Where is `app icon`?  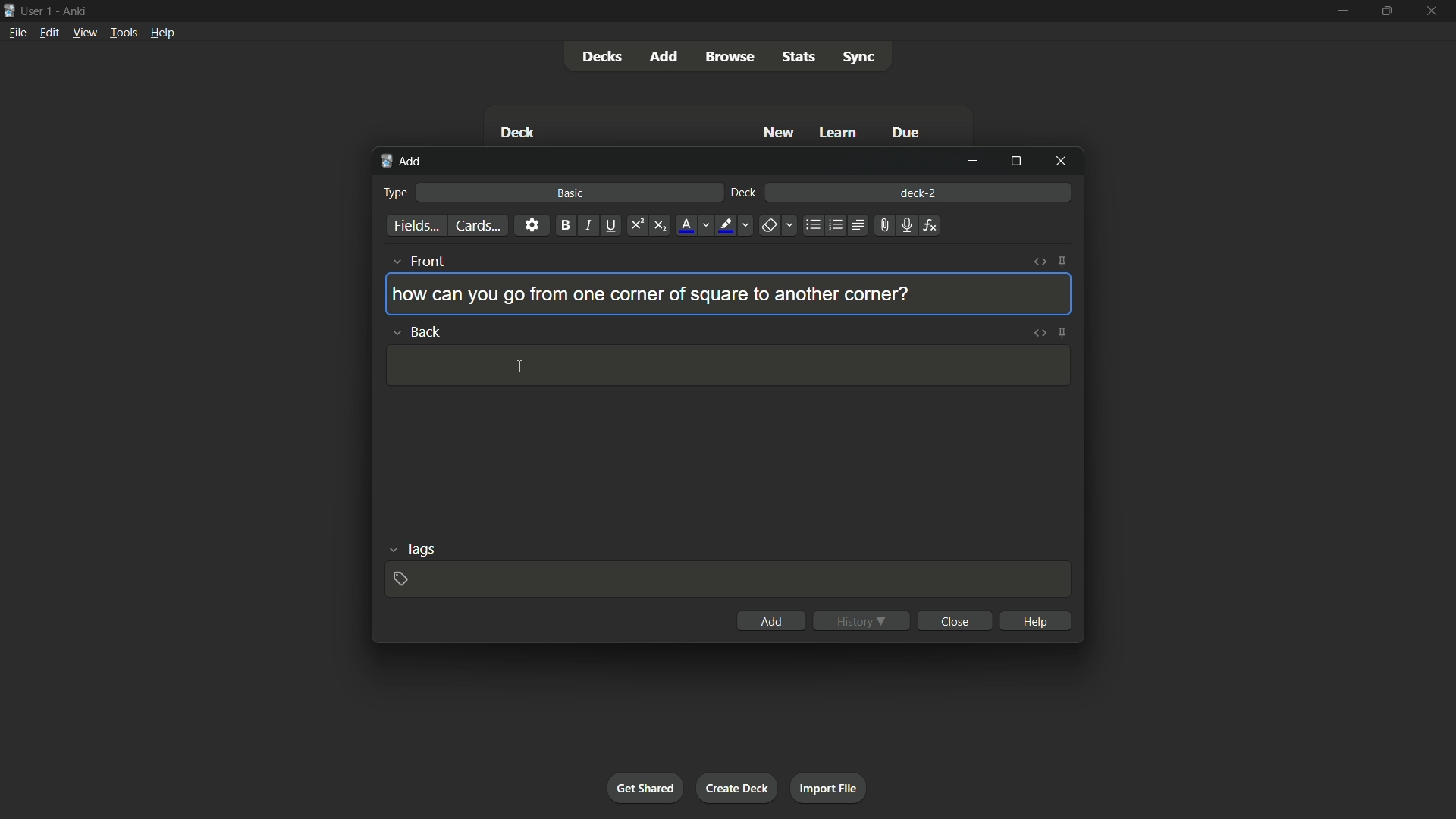 app icon is located at coordinates (8, 11).